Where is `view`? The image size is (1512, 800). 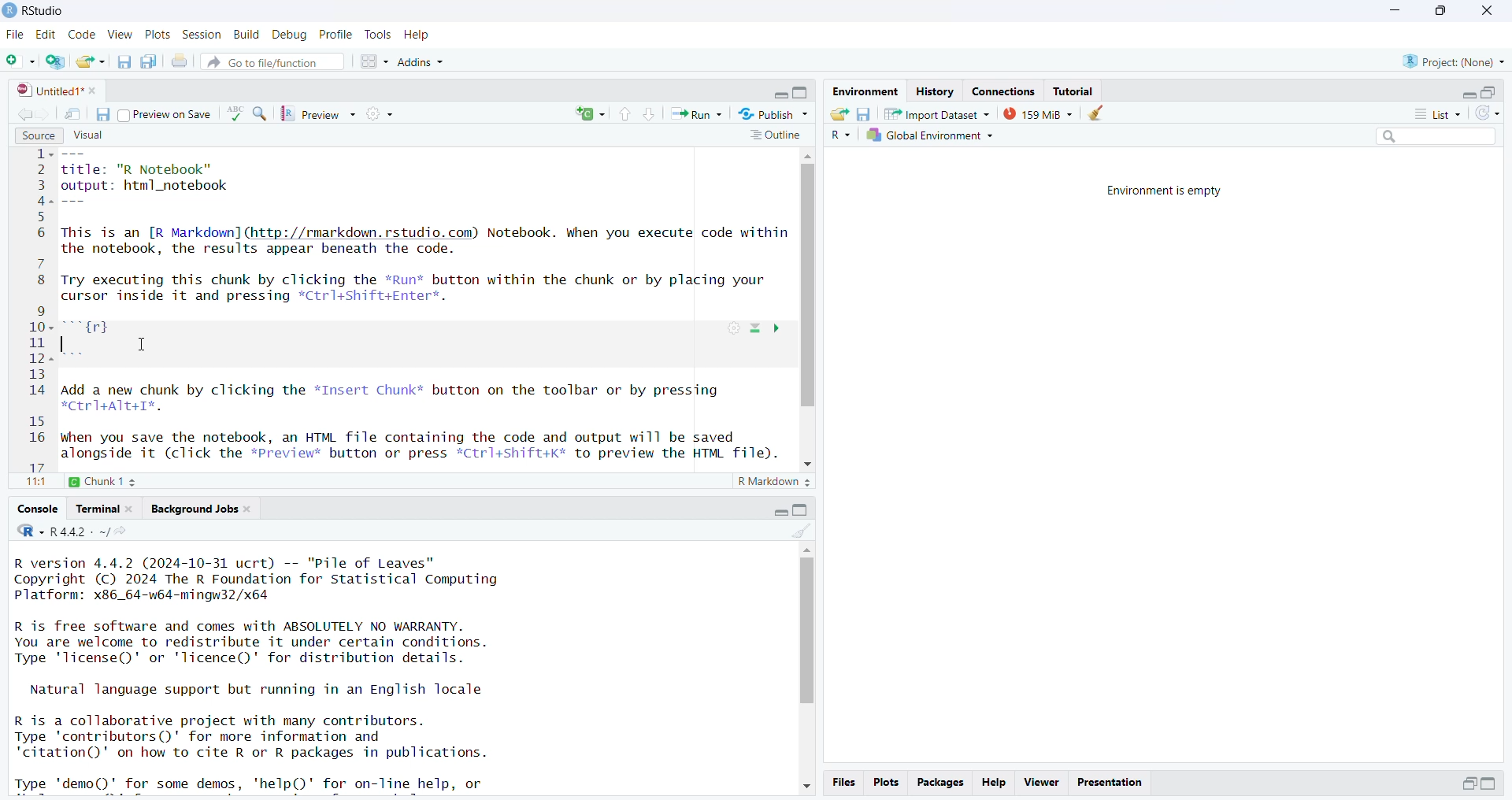
view is located at coordinates (120, 35).